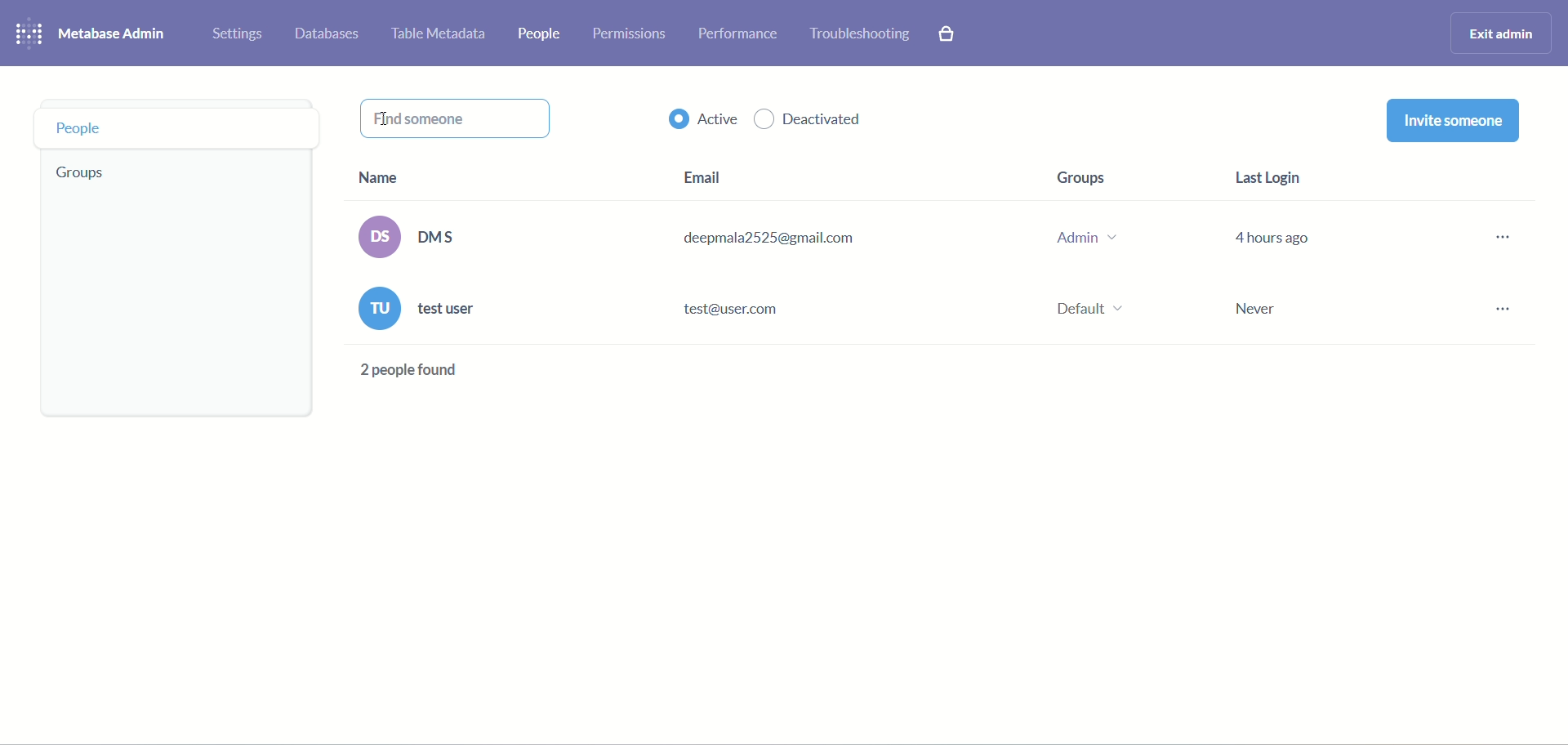  What do you see at coordinates (631, 33) in the screenshot?
I see `permissions` at bounding box center [631, 33].